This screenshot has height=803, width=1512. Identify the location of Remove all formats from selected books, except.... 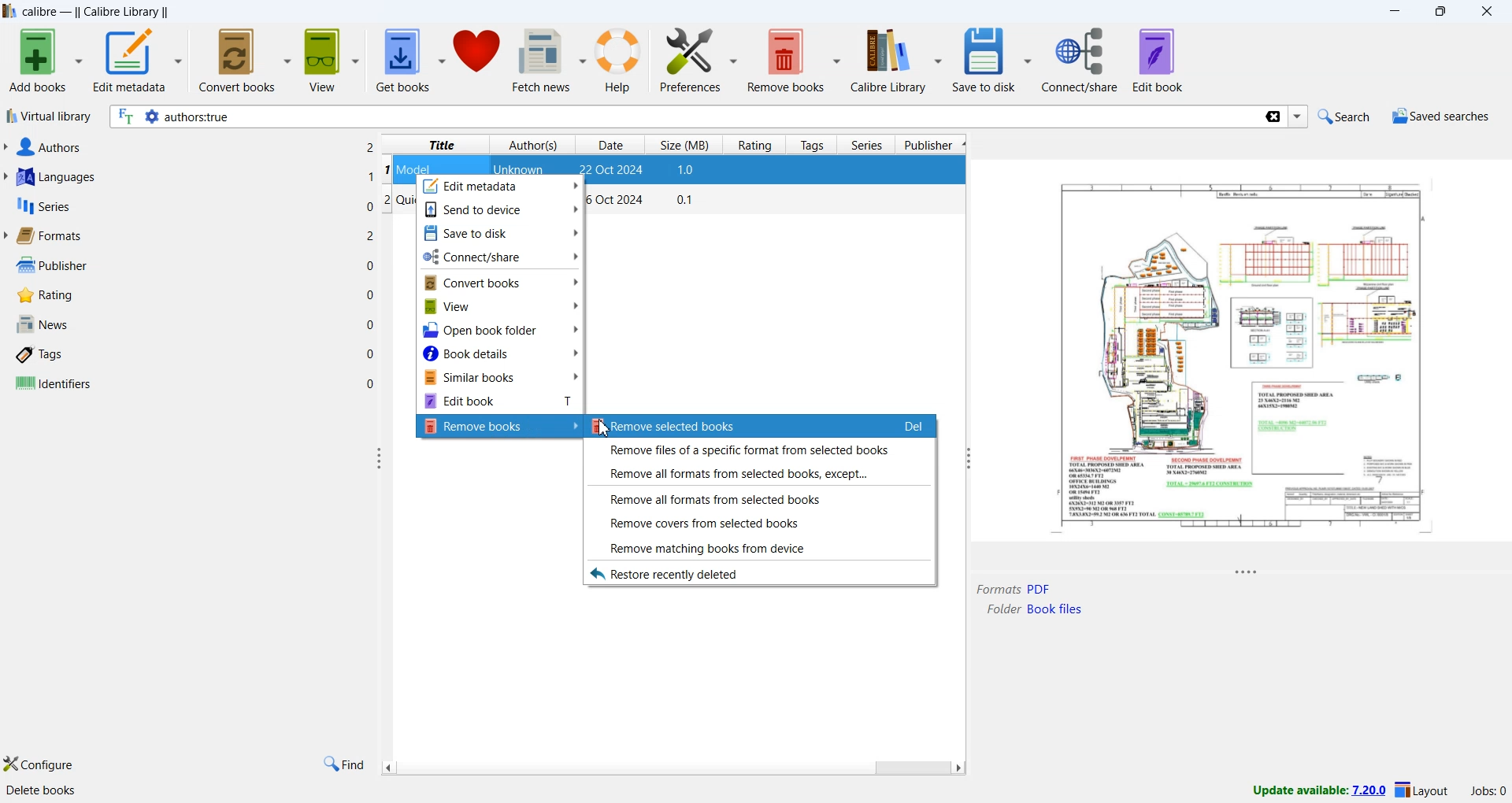
(759, 472).